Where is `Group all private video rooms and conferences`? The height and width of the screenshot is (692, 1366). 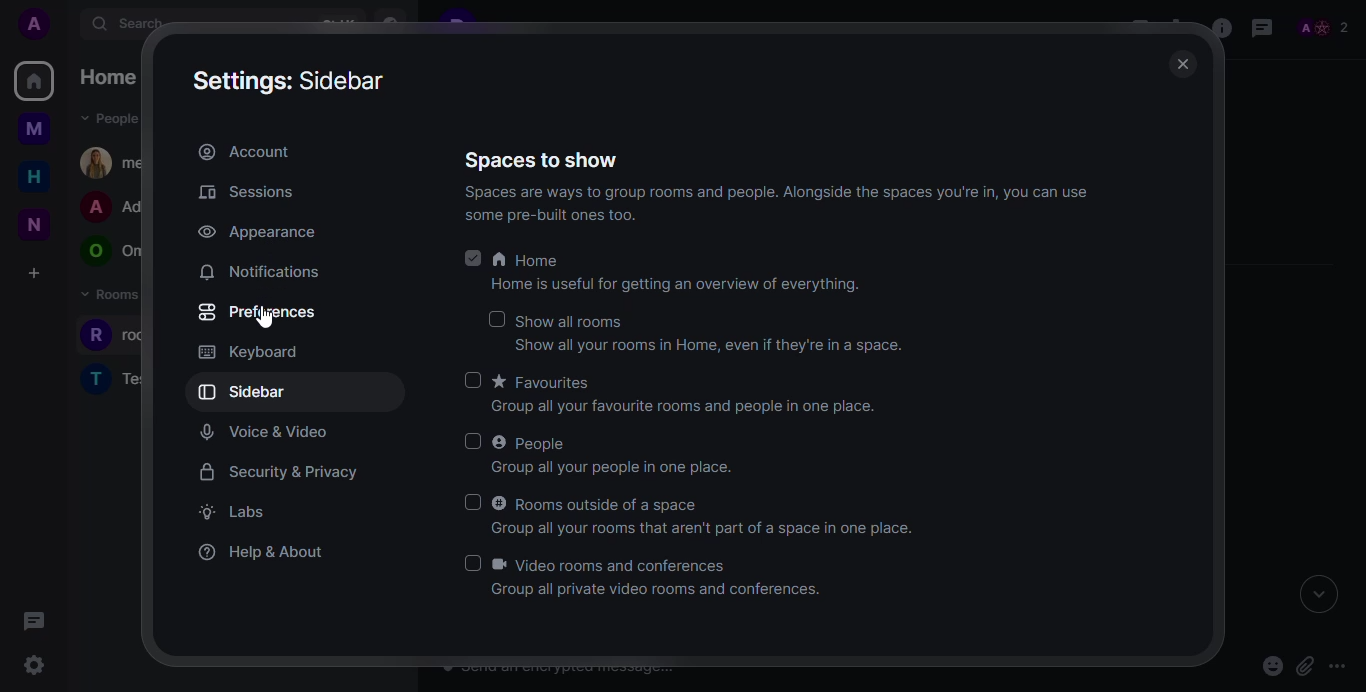
Group all private video rooms and conferences is located at coordinates (656, 592).